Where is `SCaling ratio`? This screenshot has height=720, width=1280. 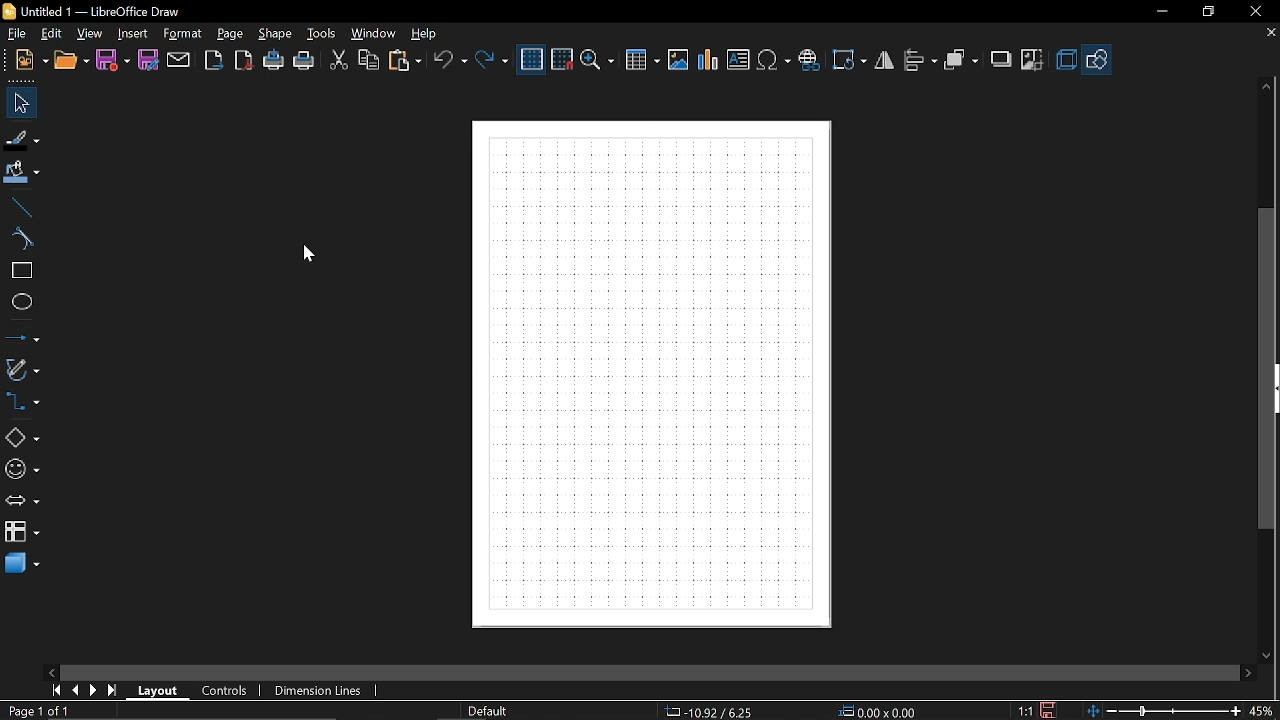
SCaling ratio is located at coordinates (1025, 710).